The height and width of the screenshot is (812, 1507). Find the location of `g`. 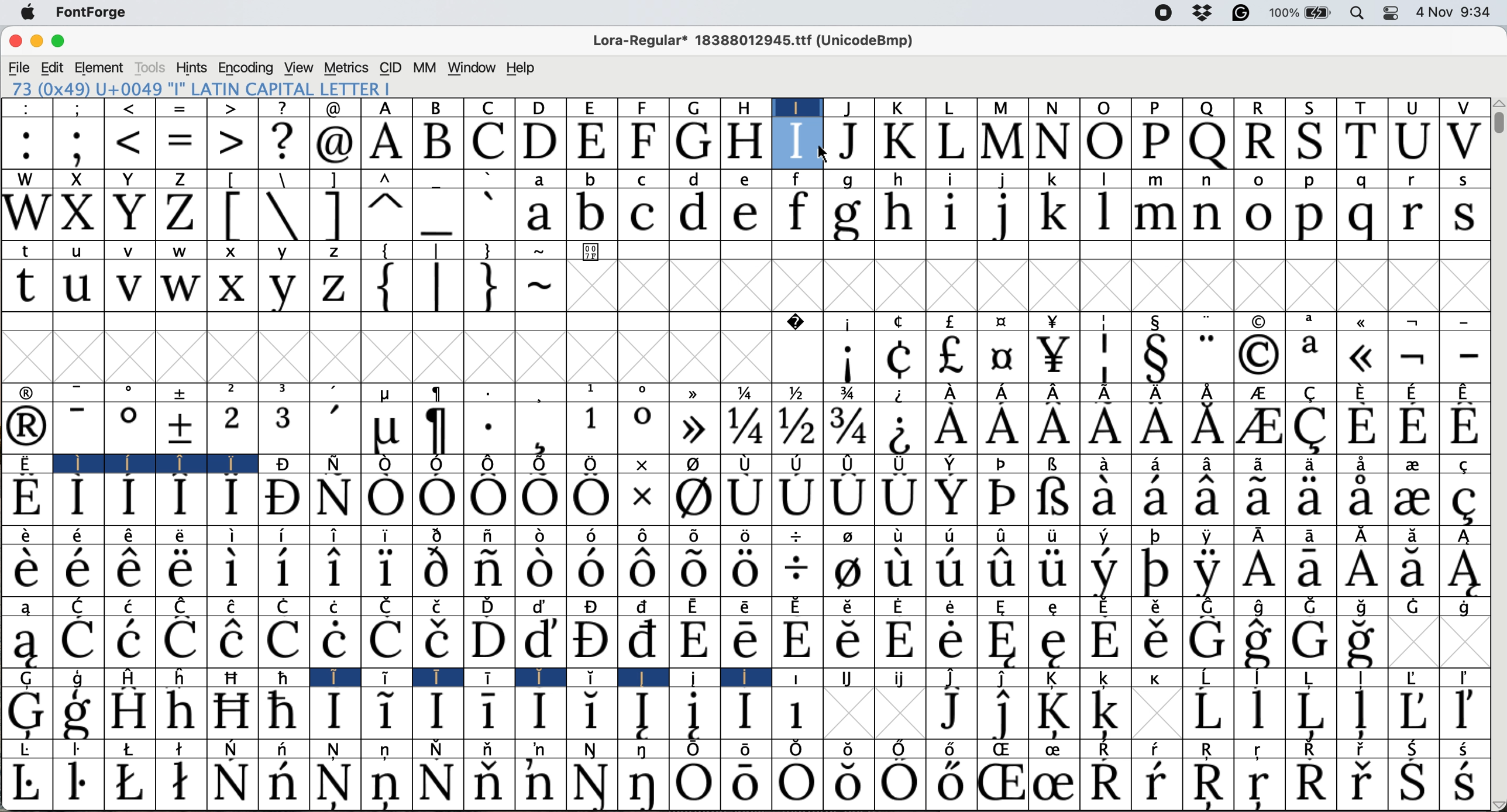

g is located at coordinates (80, 678).